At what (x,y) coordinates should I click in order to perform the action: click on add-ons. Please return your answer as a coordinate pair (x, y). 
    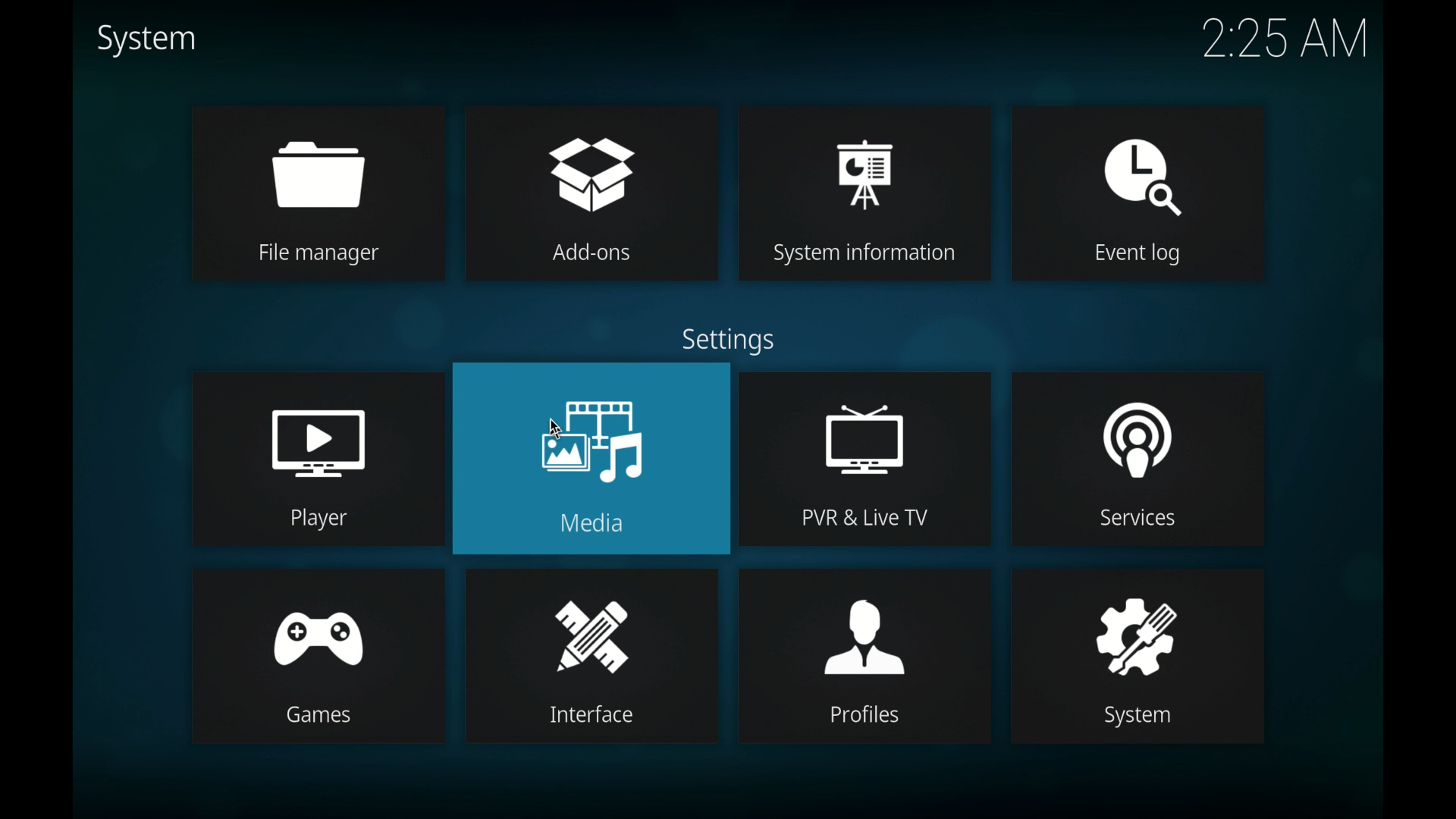
    Looking at the image, I should click on (591, 163).